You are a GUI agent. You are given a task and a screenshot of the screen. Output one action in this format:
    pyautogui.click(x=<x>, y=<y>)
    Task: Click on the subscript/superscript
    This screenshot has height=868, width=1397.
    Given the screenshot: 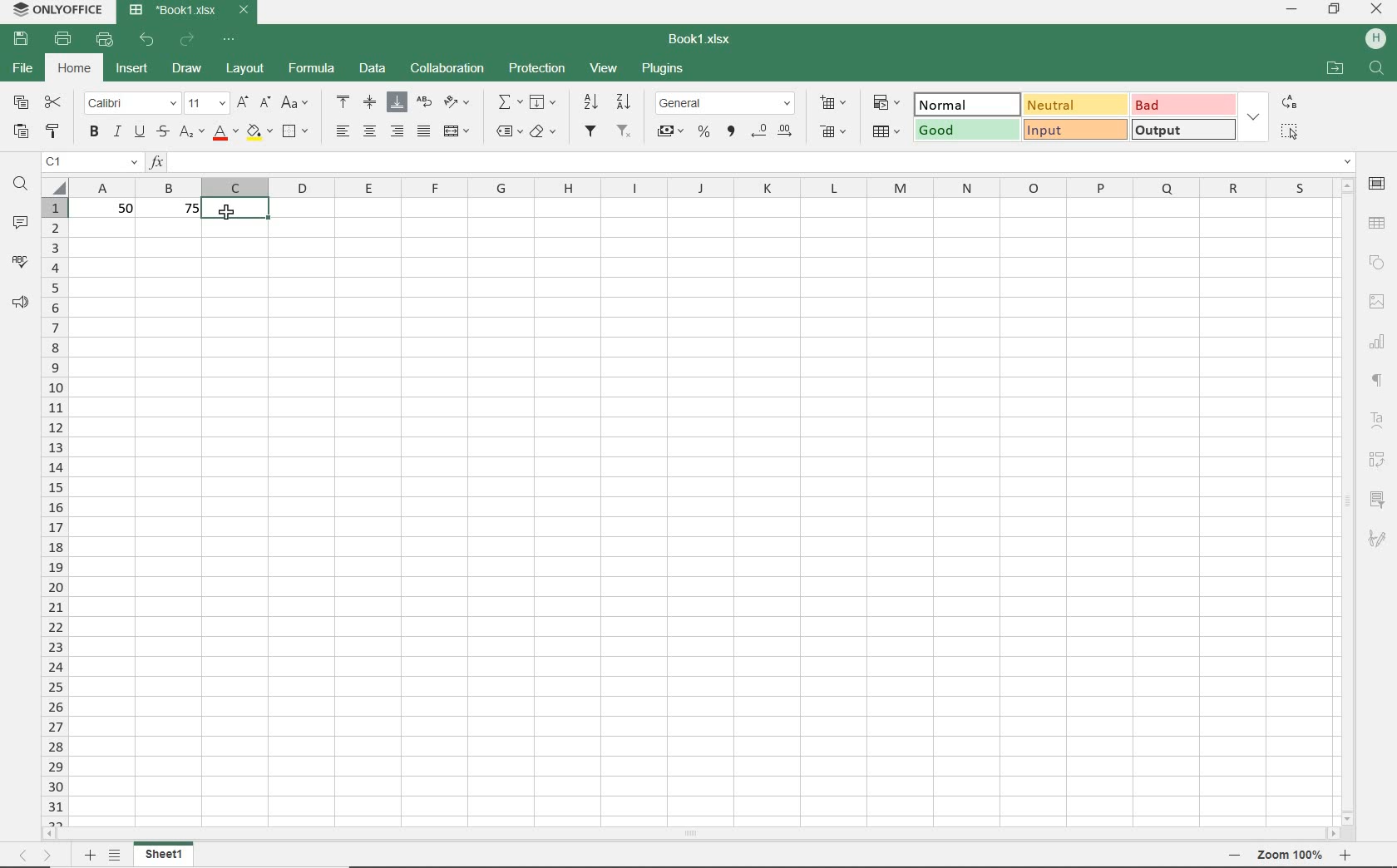 What is the action you would take?
    pyautogui.click(x=191, y=132)
    